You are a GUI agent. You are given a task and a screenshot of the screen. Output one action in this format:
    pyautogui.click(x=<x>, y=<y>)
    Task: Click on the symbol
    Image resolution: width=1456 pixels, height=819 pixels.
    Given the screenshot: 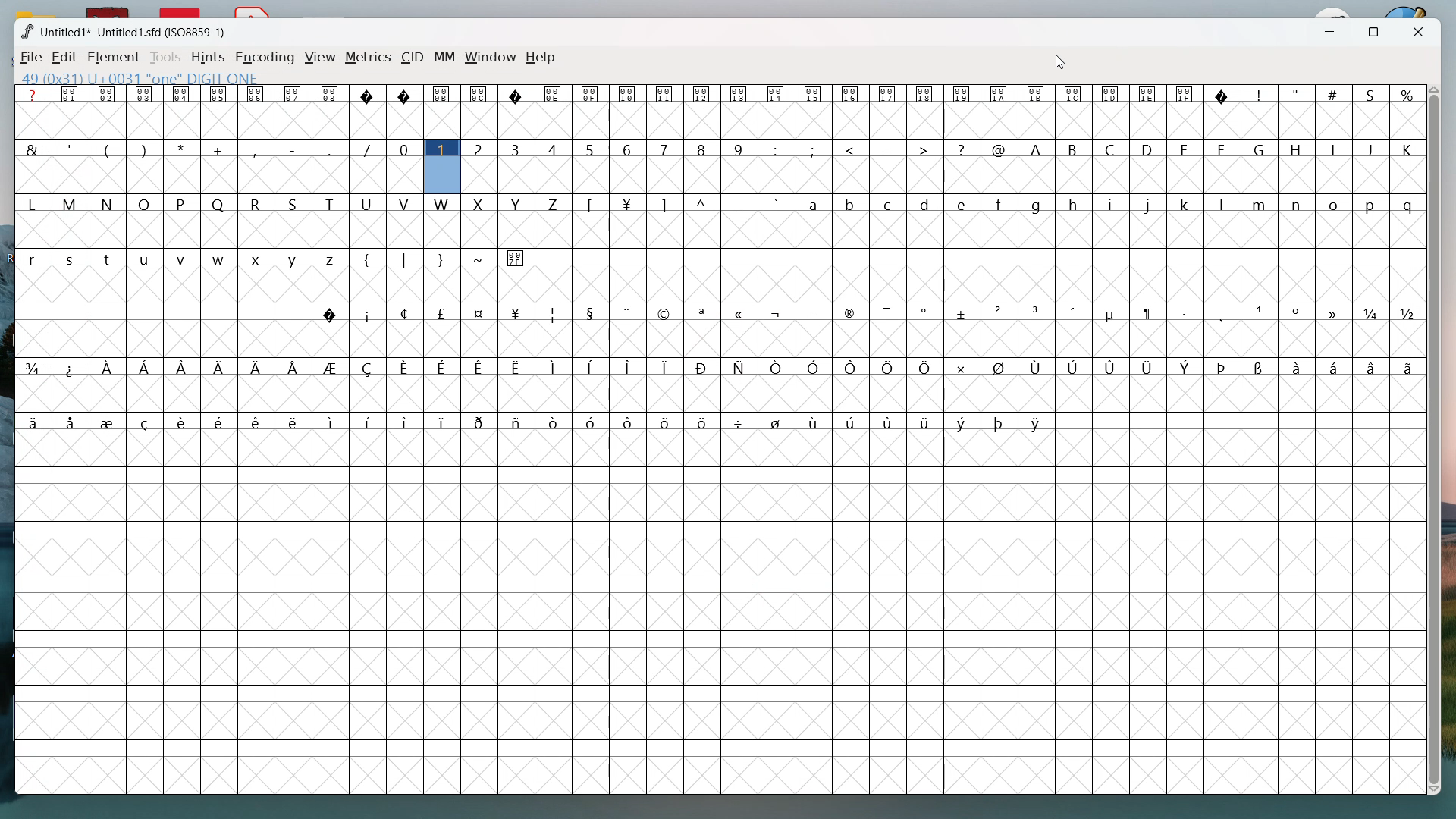 What is the action you would take?
    pyautogui.click(x=1408, y=313)
    